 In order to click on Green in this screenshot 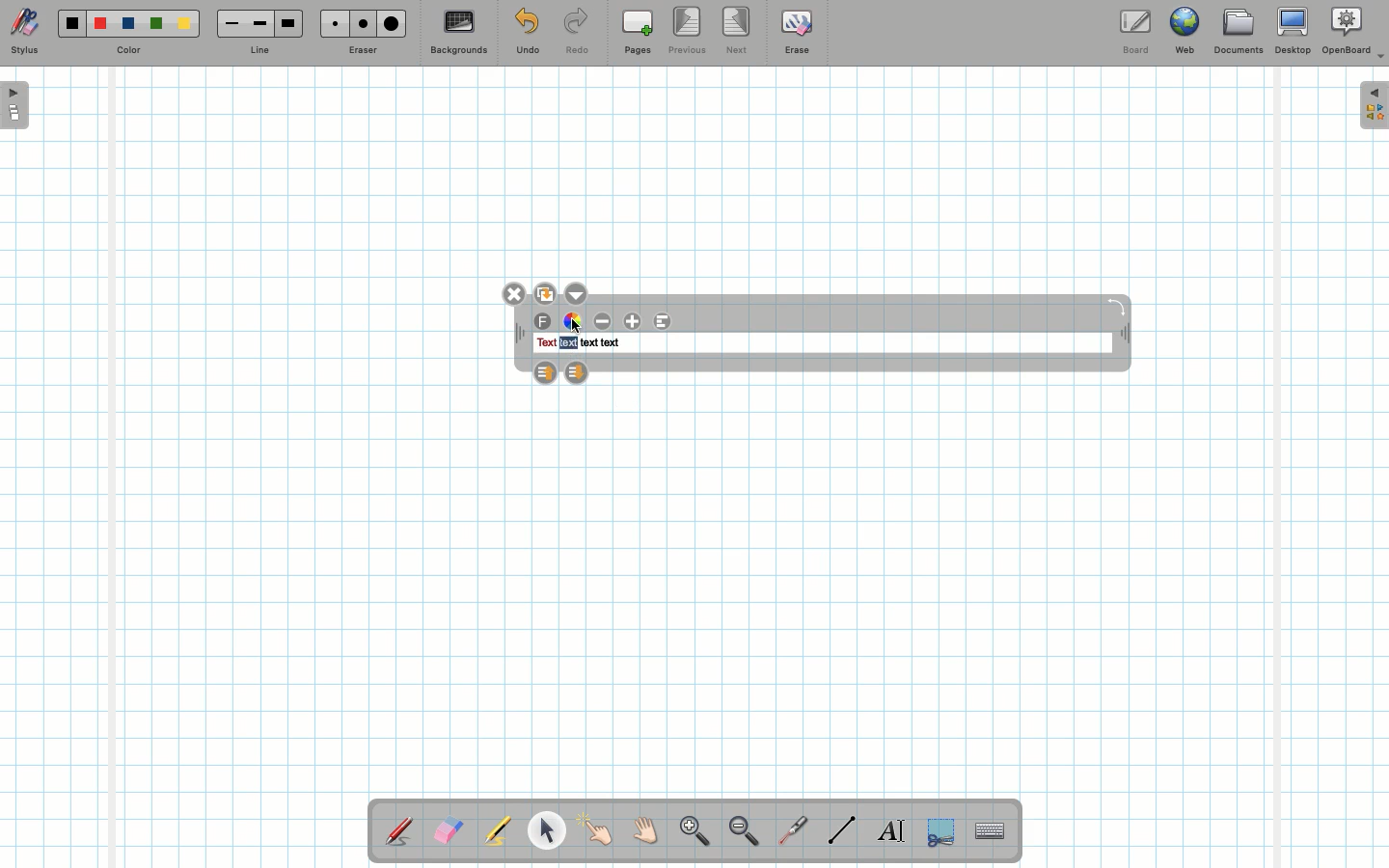, I will do `click(156, 25)`.